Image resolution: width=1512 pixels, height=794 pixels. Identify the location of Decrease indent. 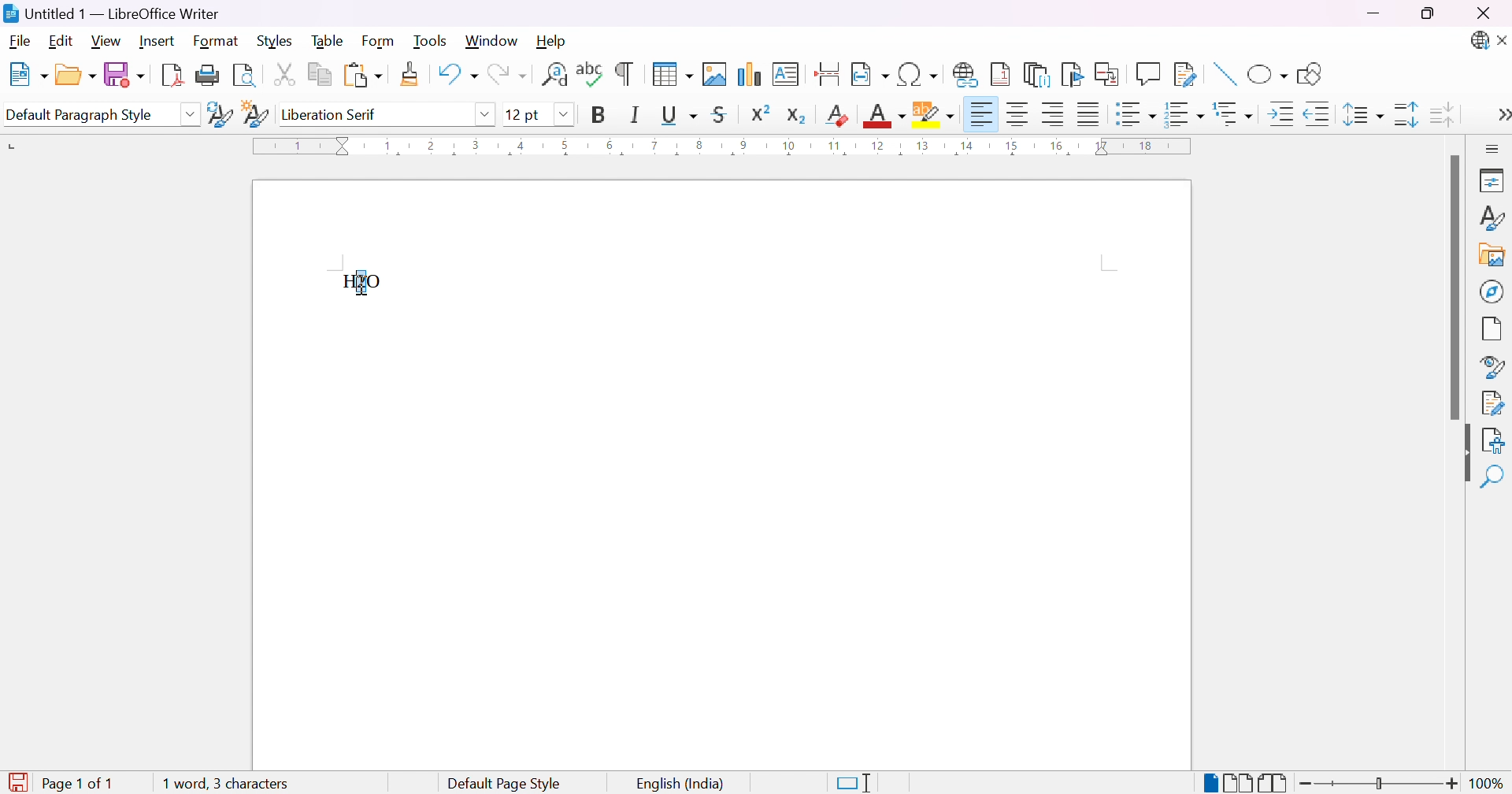
(1318, 117).